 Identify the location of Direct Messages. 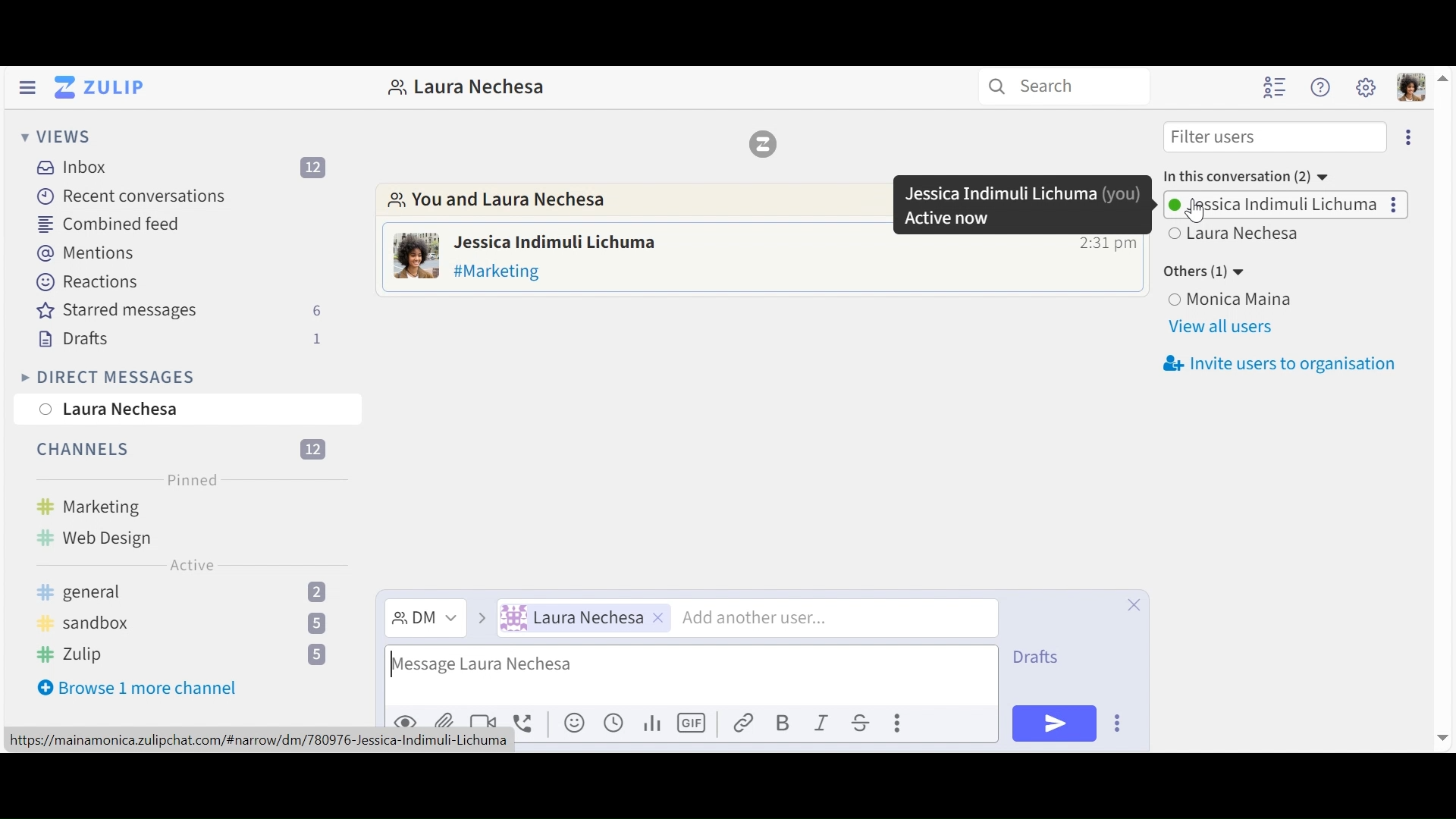
(106, 377).